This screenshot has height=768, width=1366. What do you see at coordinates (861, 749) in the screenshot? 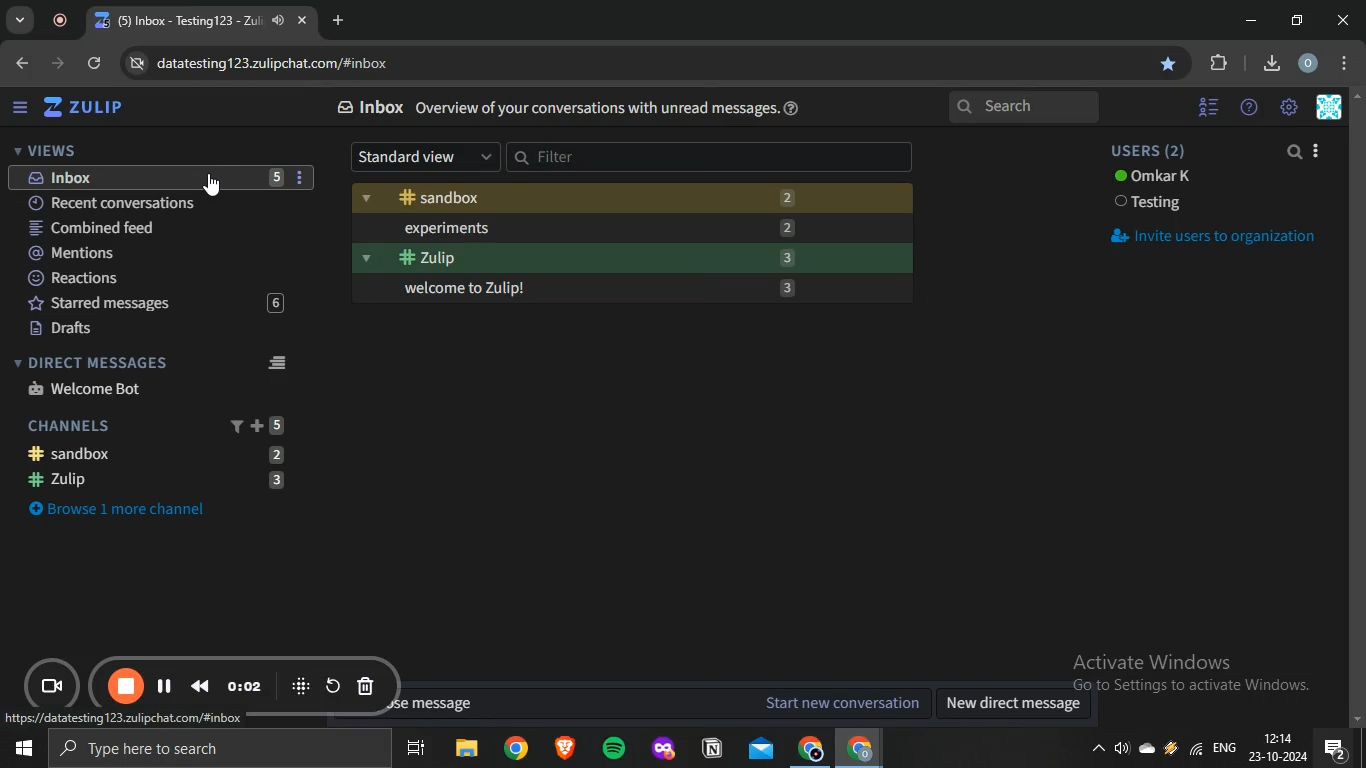
I see `google chrome` at bounding box center [861, 749].